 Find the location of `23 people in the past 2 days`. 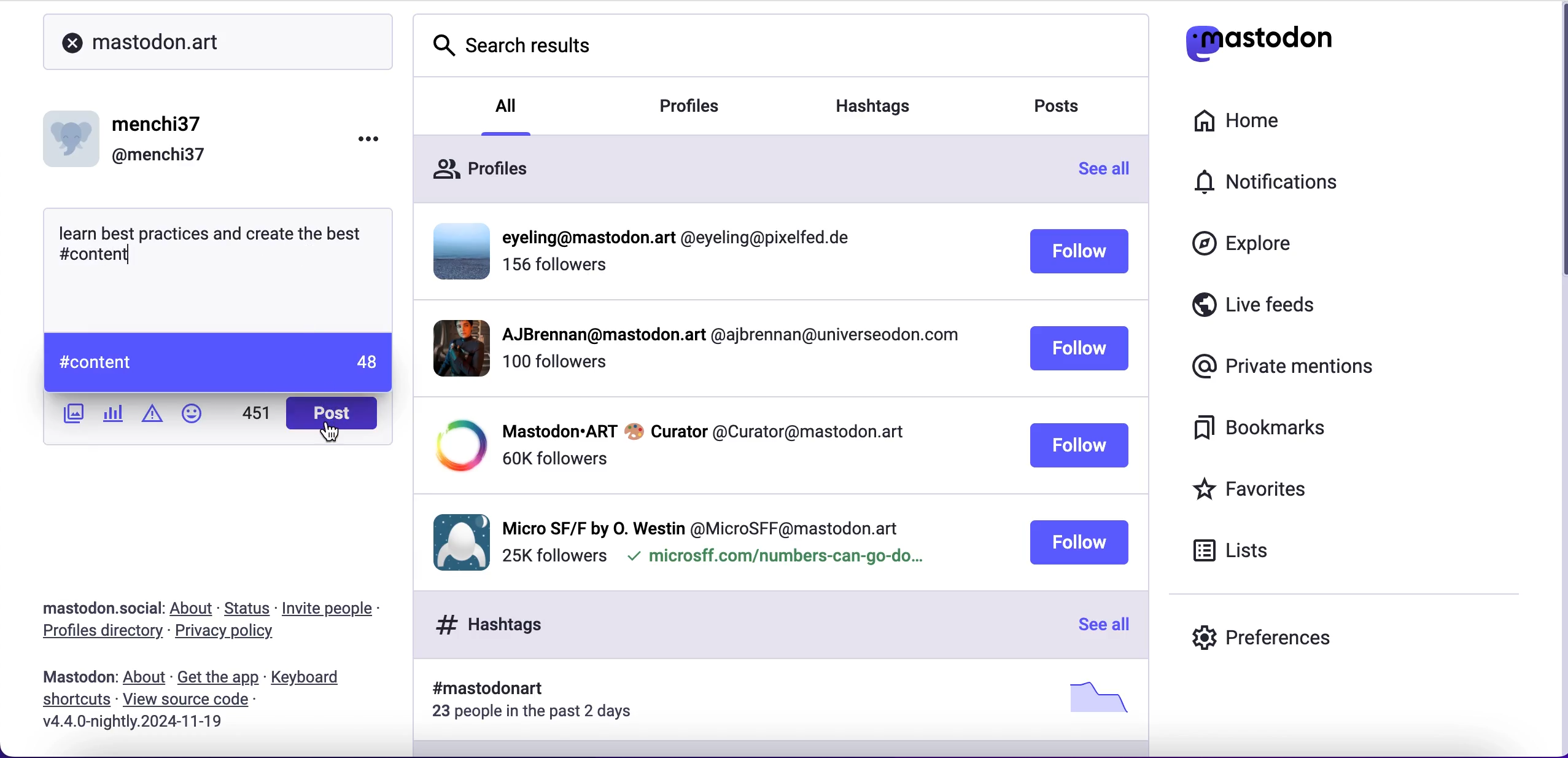

23 people in the past 2 days is located at coordinates (540, 714).